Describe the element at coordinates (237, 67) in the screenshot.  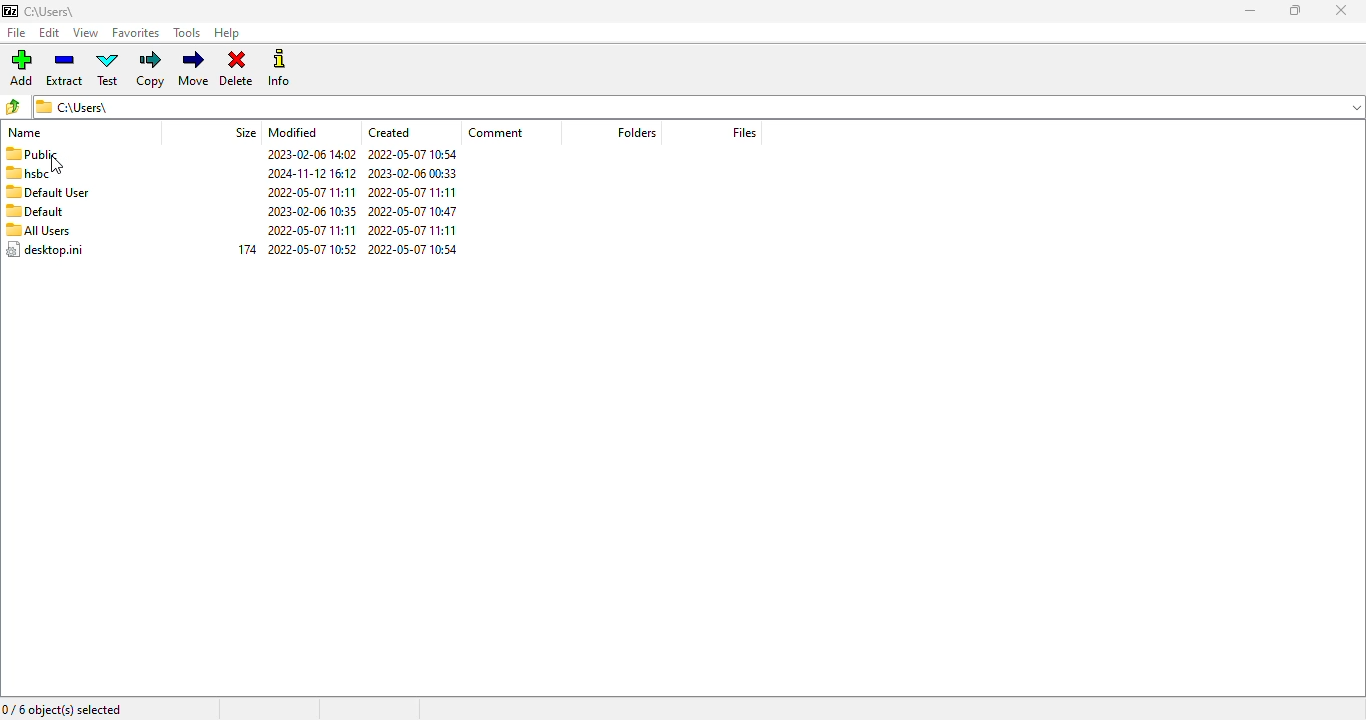
I see `delete` at that location.